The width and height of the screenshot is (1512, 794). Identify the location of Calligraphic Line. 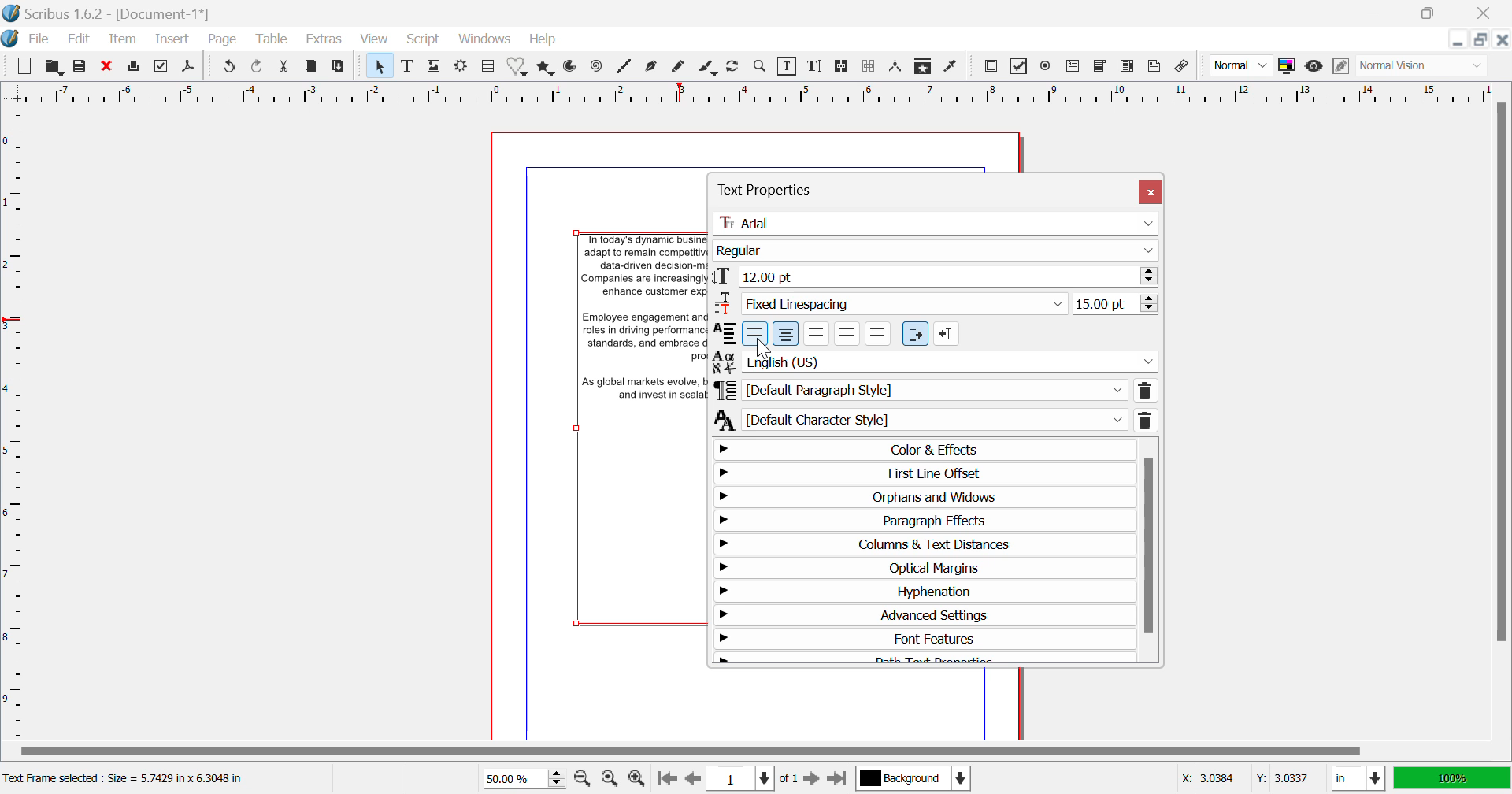
(710, 68).